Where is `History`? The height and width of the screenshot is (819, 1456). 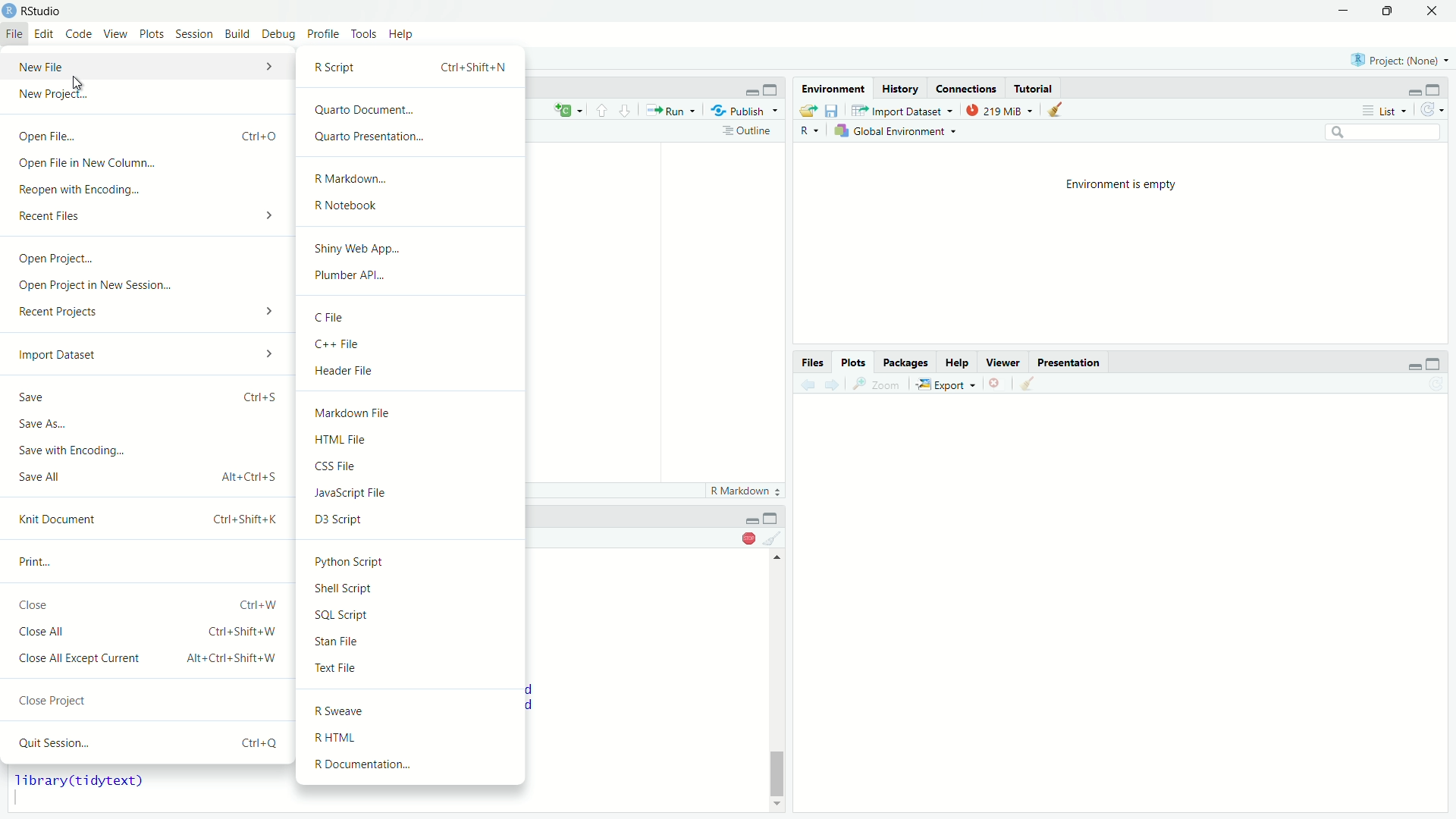
History is located at coordinates (899, 87).